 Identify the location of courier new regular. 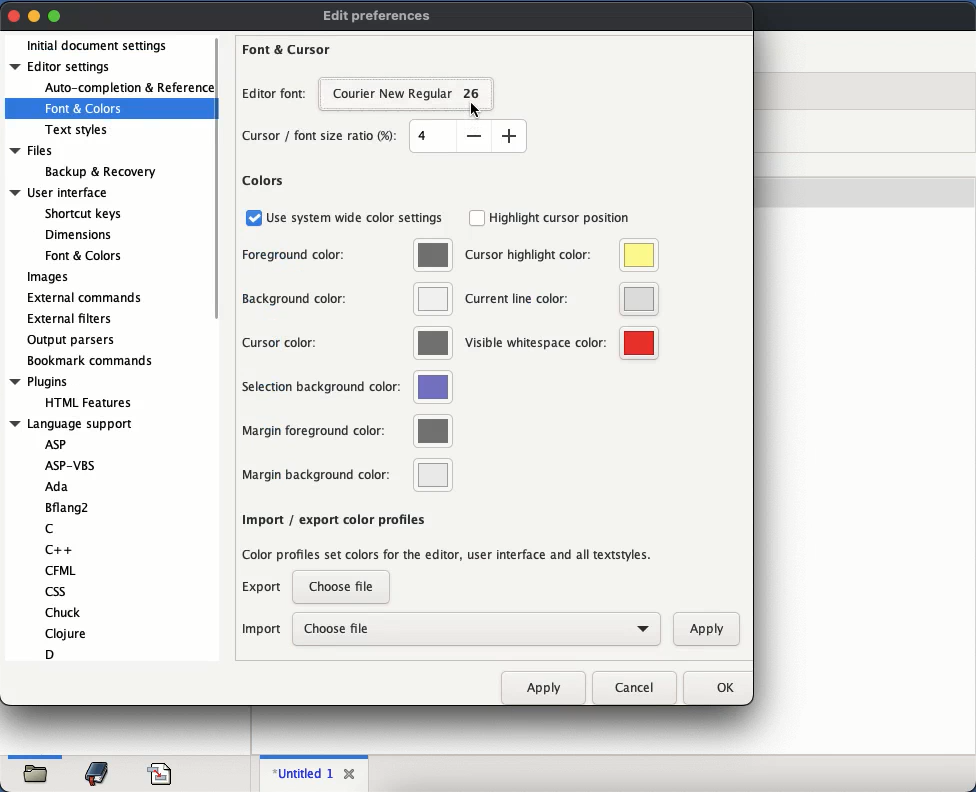
(406, 93).